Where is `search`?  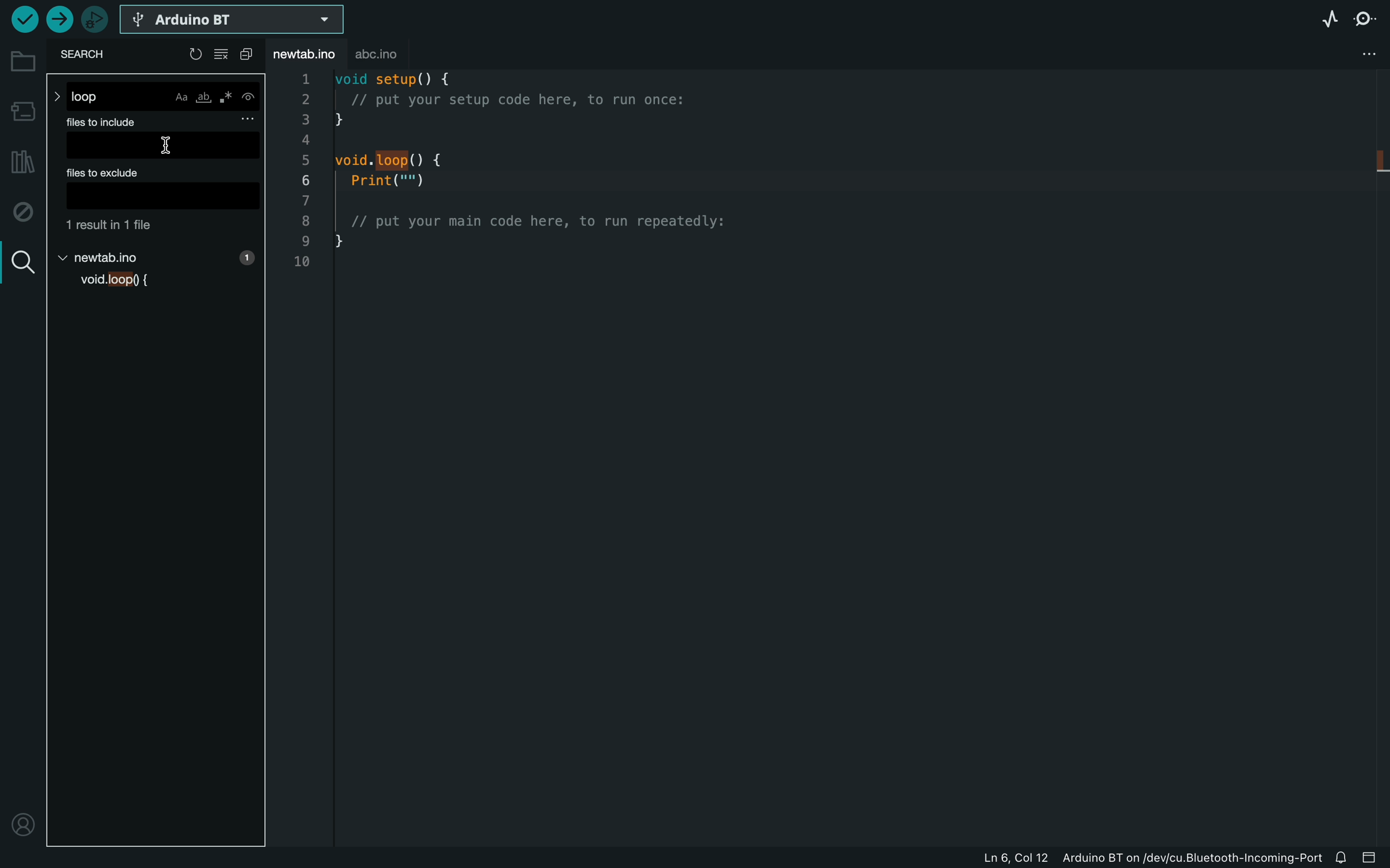
search is located at coordinates (22, 263).